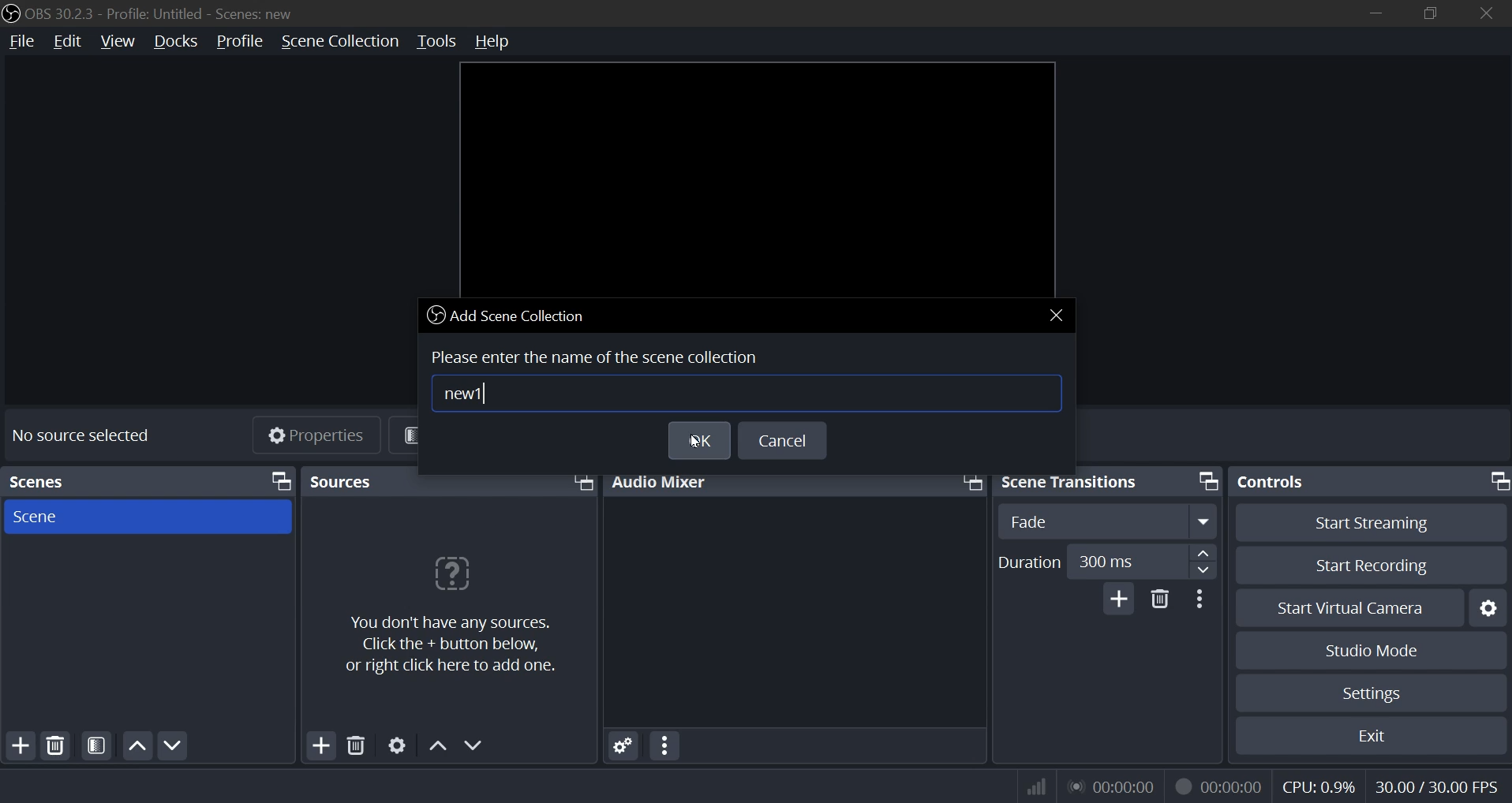  Describe the element at coordinates (781, 440) in the screenshot. I see `cancel` at that location.